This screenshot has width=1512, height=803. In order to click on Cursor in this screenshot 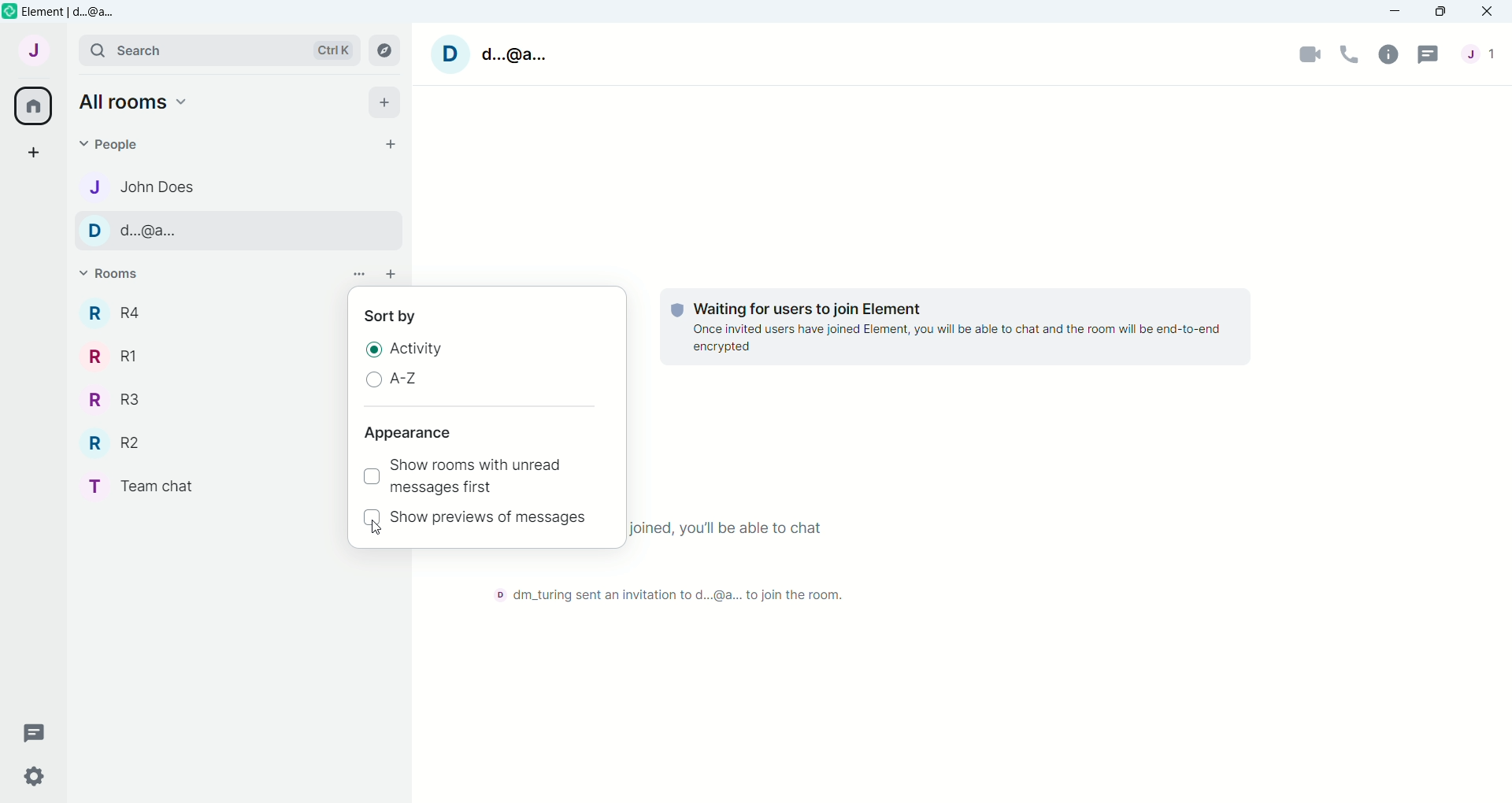, I will do `click(376, 528)`.